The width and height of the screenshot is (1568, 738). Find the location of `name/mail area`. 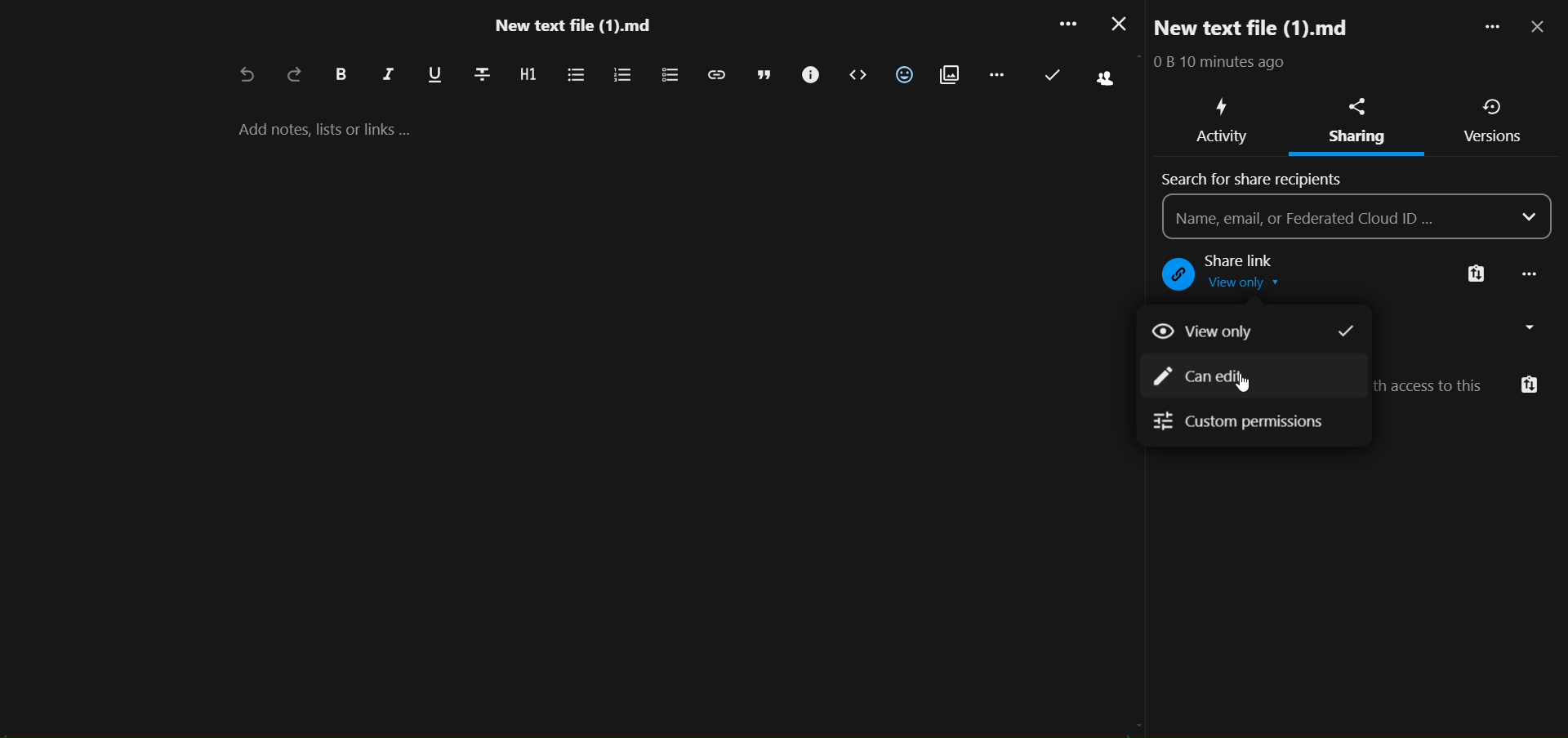

name/mail area is located at coordinates (1337, 216).